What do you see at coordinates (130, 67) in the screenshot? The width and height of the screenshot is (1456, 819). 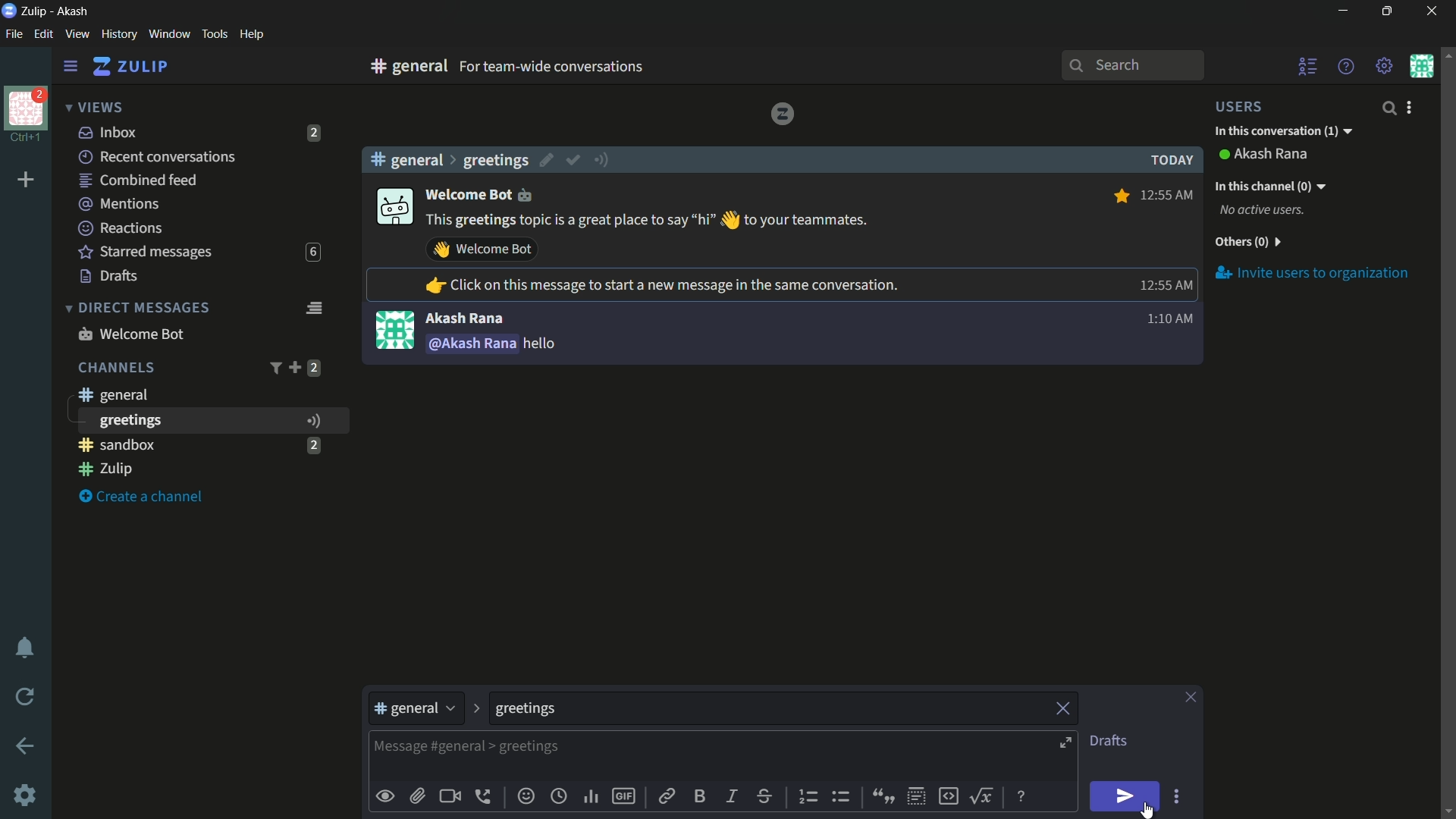 I see `zulip` at bounding box center [130, 67].